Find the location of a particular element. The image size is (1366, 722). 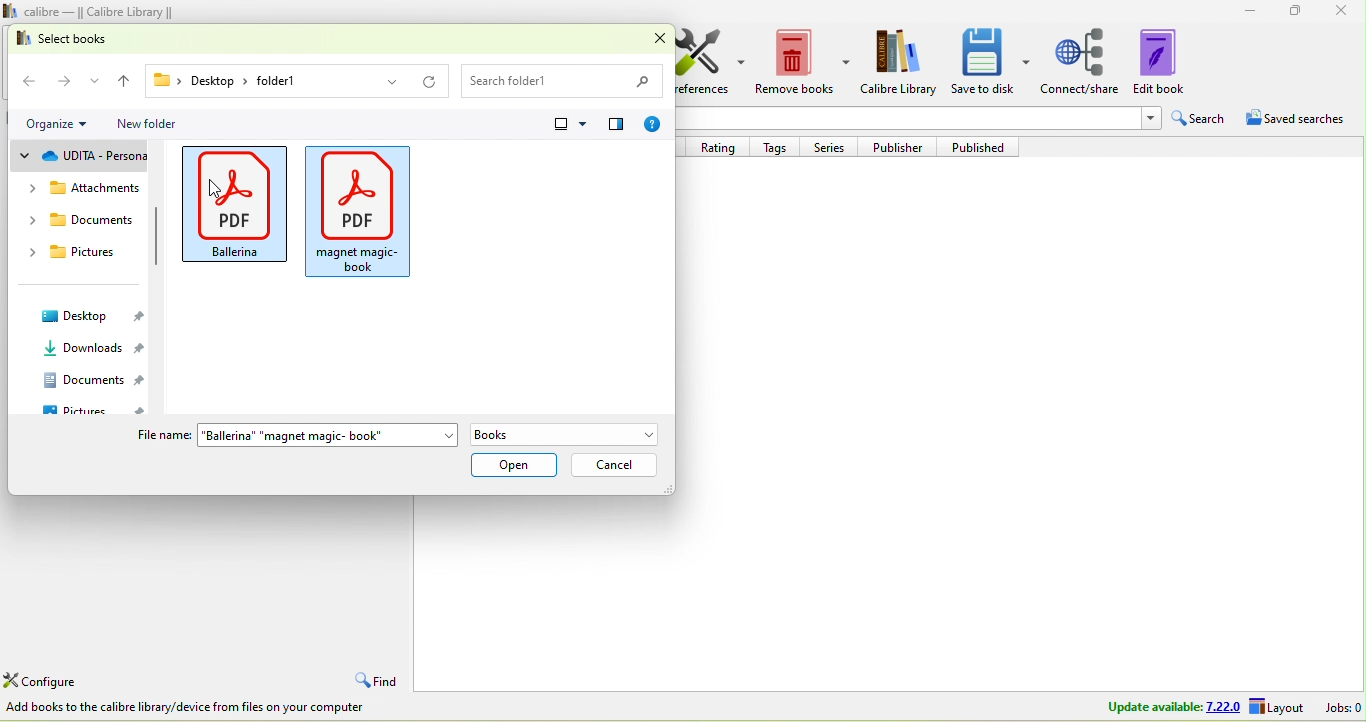

udta-personal is located at coordinates (84, 158).